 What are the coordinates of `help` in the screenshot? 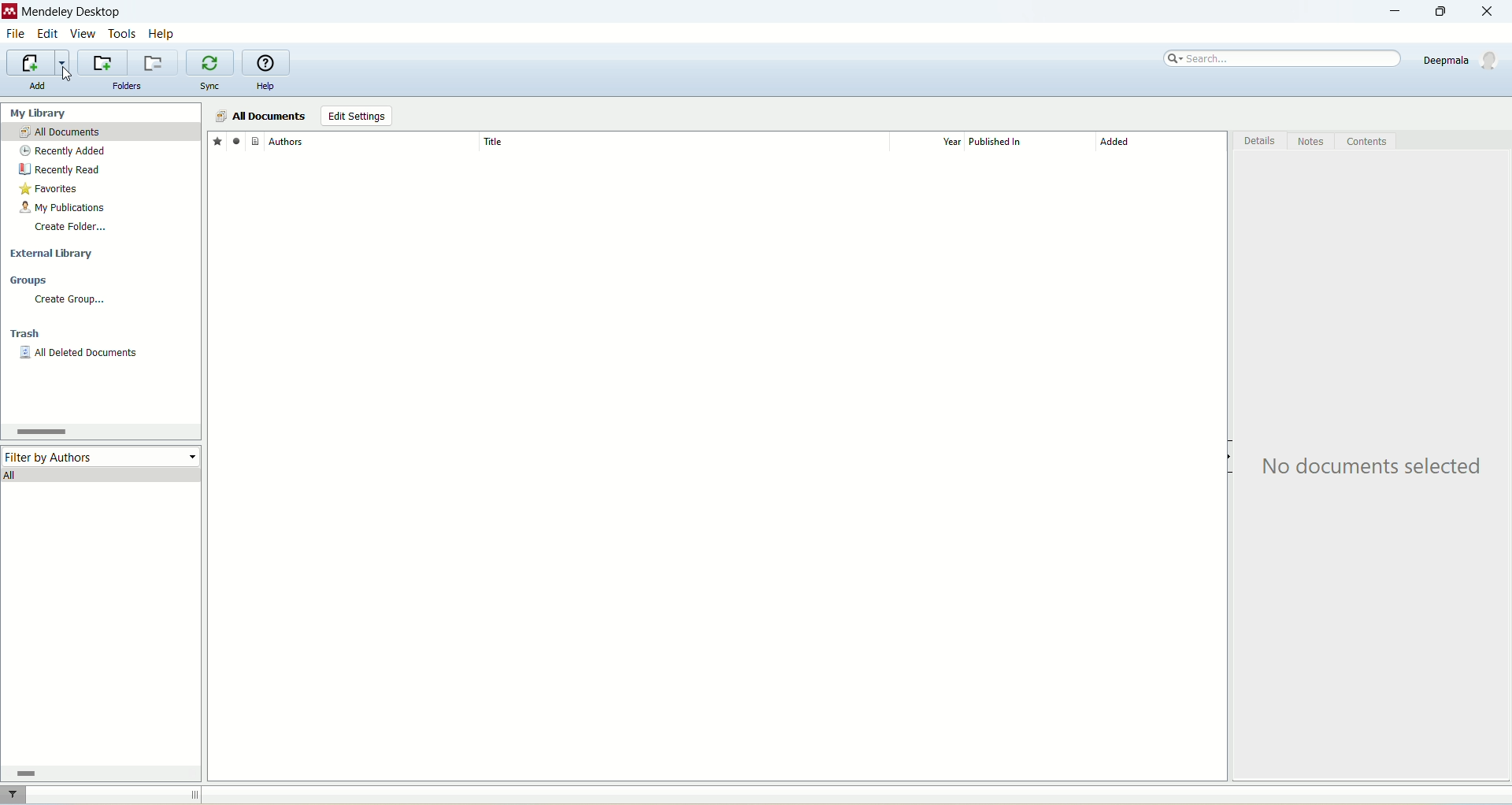 It's located at (163, 33).